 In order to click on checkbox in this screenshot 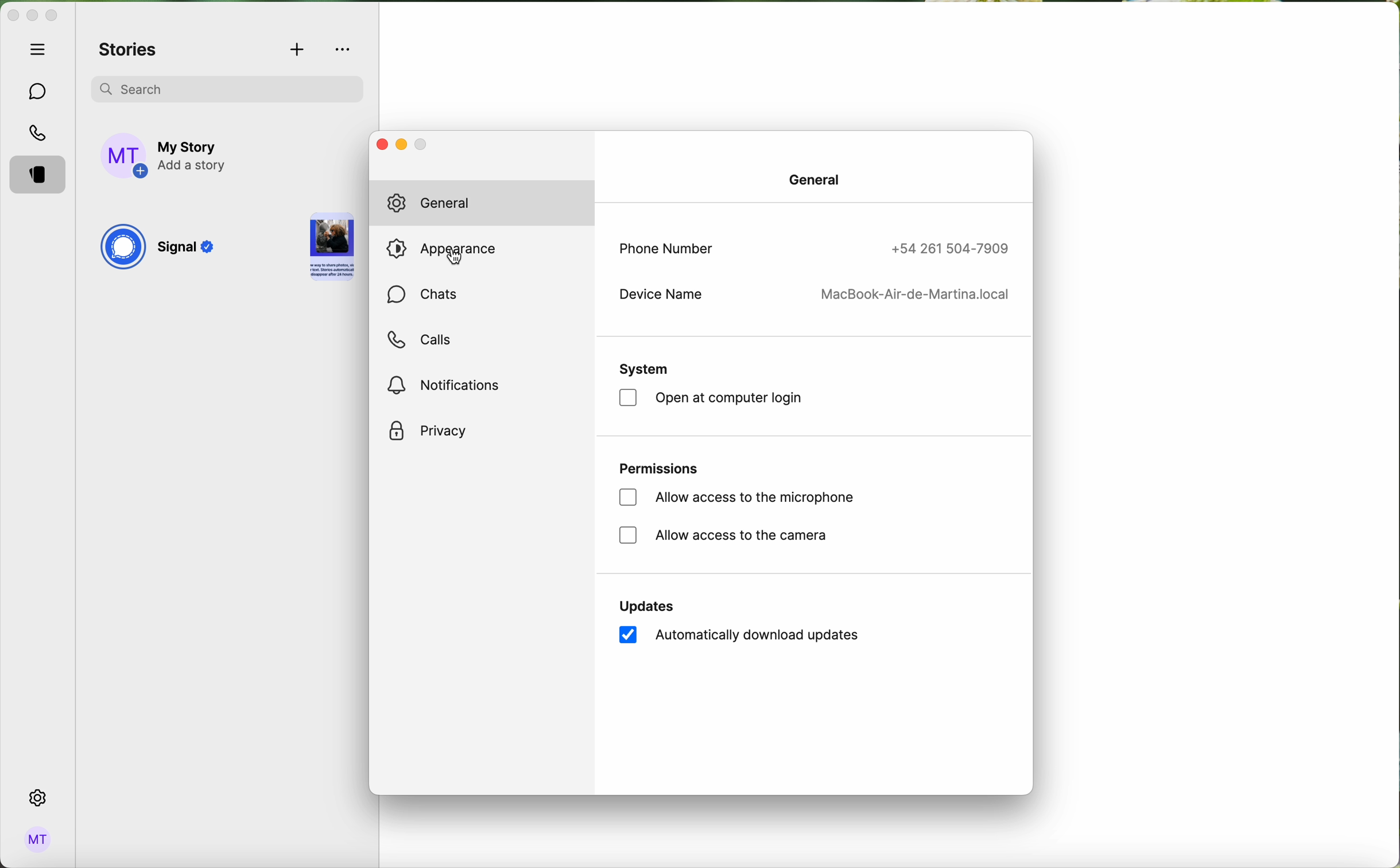, I will do `click(627, 536)`.